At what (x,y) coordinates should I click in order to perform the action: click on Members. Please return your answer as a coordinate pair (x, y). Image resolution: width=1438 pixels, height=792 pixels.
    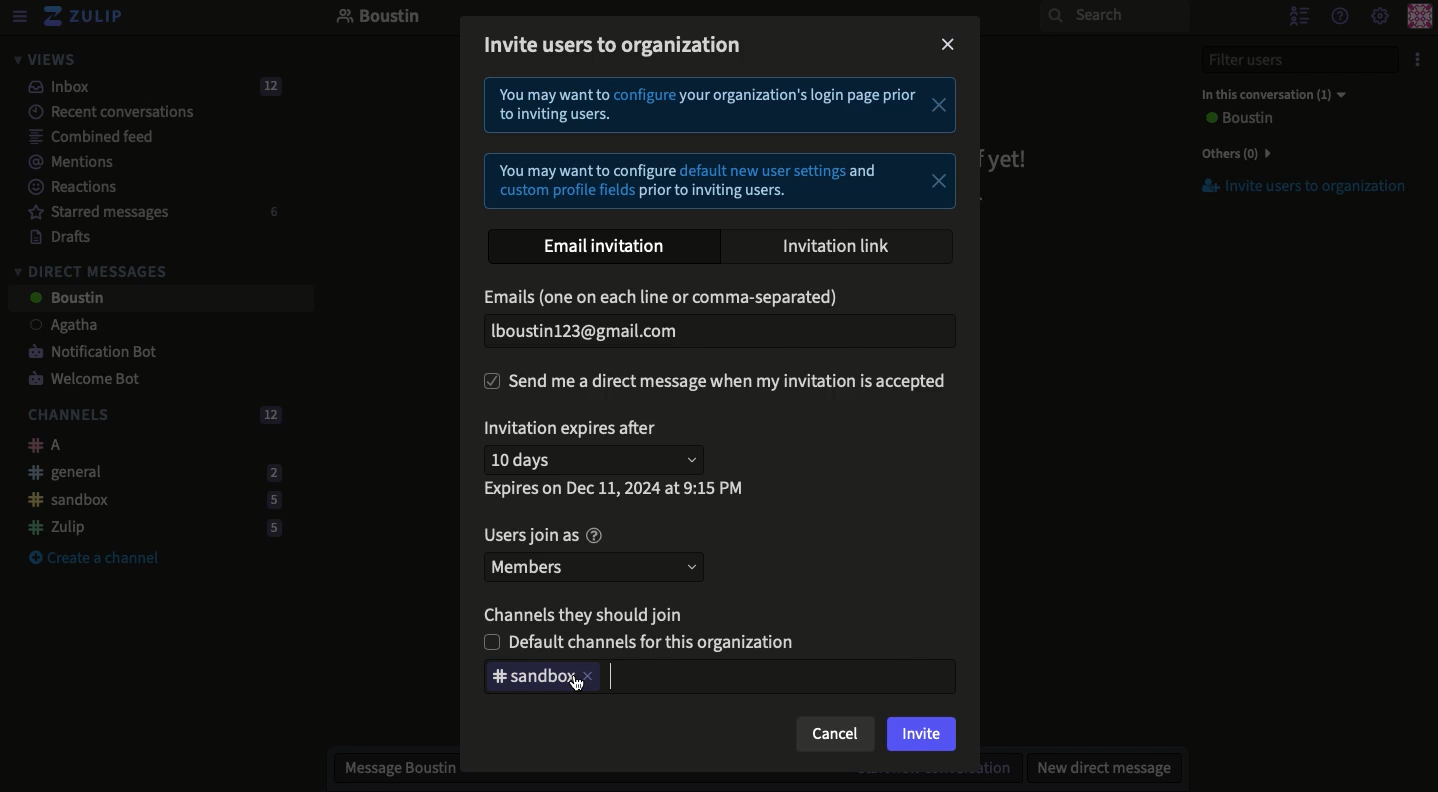
    Looking at the image, I should click on (598, 566).